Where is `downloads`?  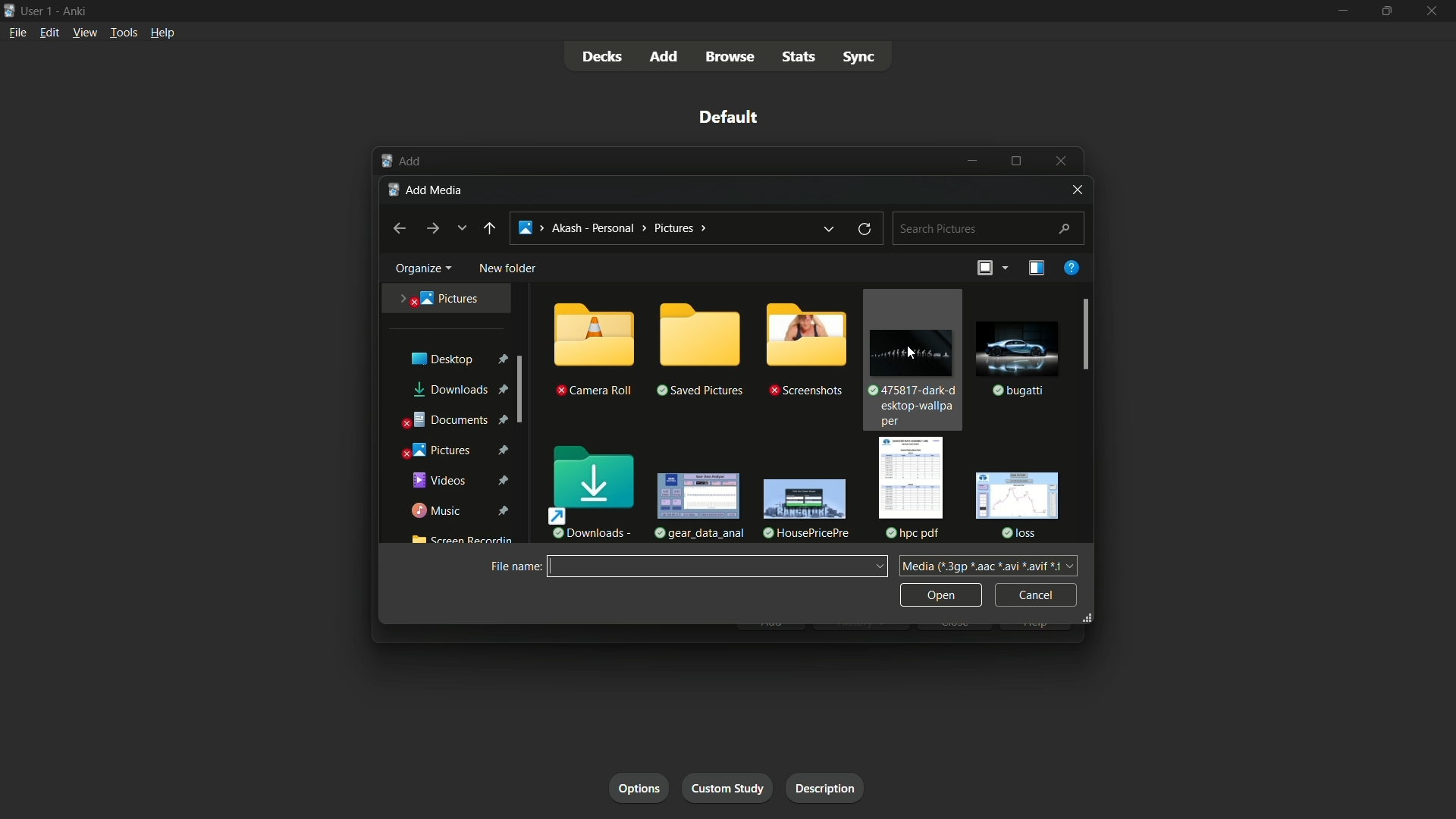 downloads is located at coordinates (458, 390).